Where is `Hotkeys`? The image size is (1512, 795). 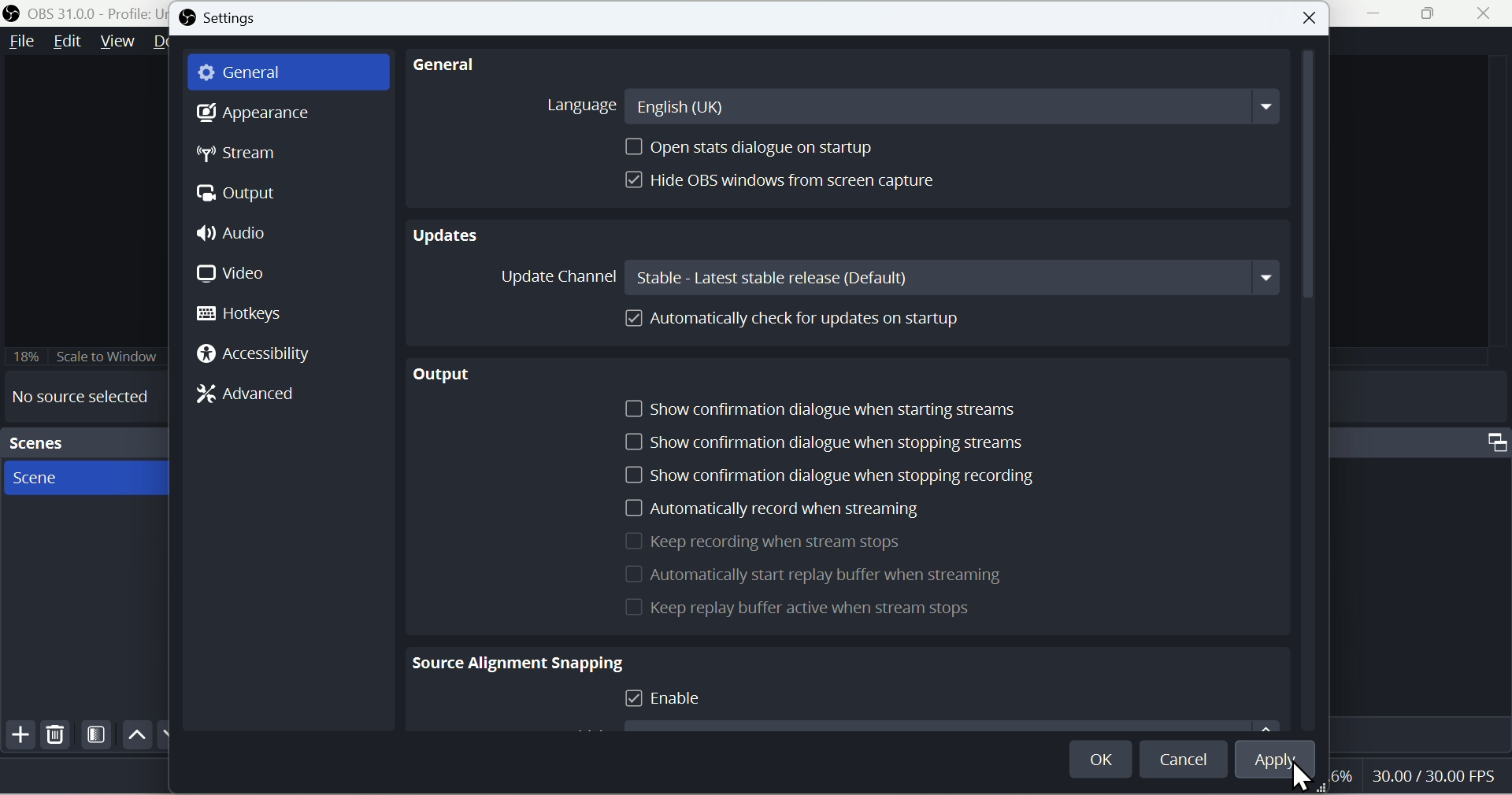 Hotkeys is located at coordinates (250, 316).